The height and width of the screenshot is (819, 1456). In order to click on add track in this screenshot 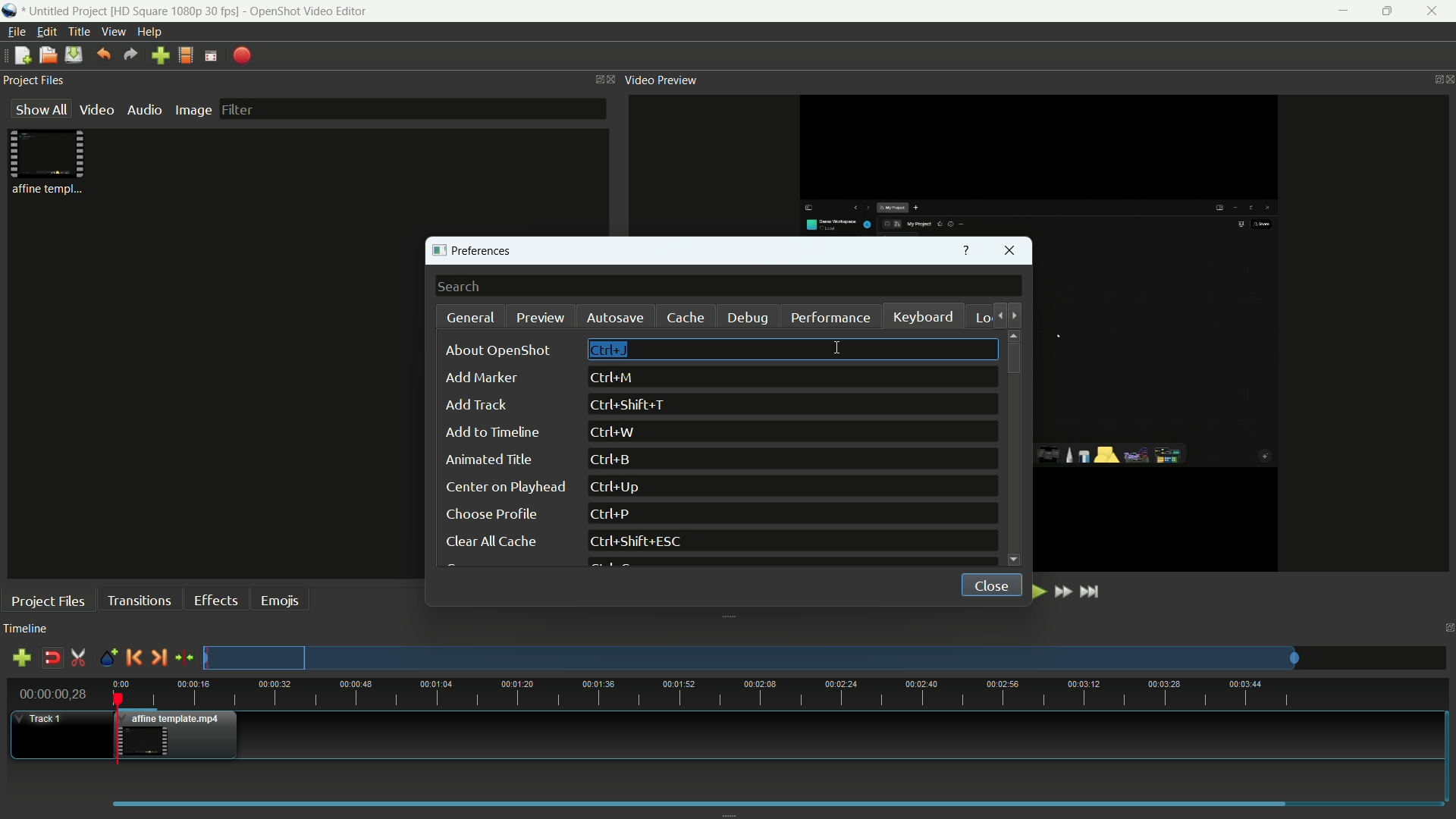, I will do `click(21, 660)`.